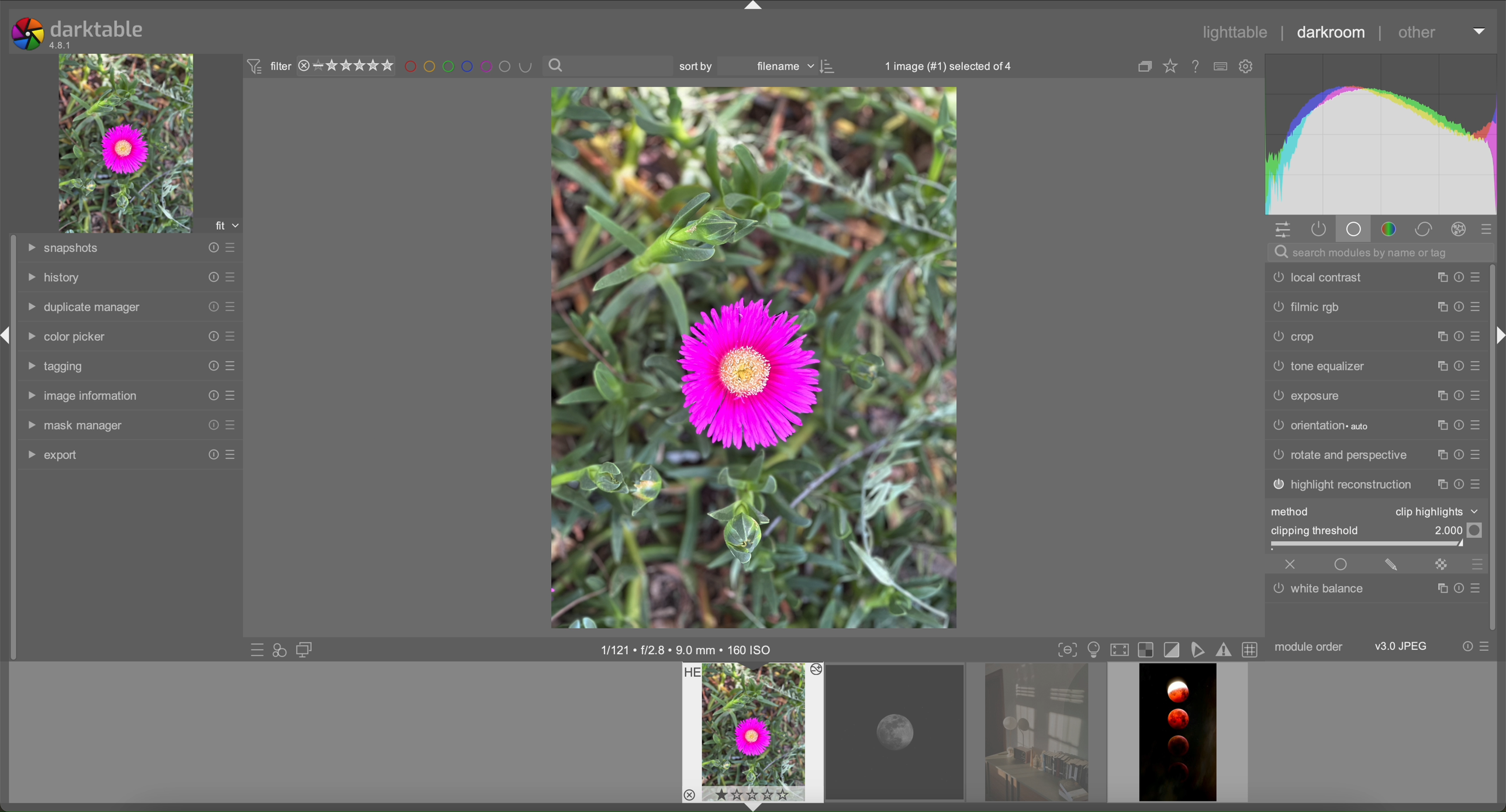 The width and height of the screenshot is (1506, 812). What do you see at coordinates (230, 365) in the screenshot?
I see `presets` at bounding box center [230, 365].